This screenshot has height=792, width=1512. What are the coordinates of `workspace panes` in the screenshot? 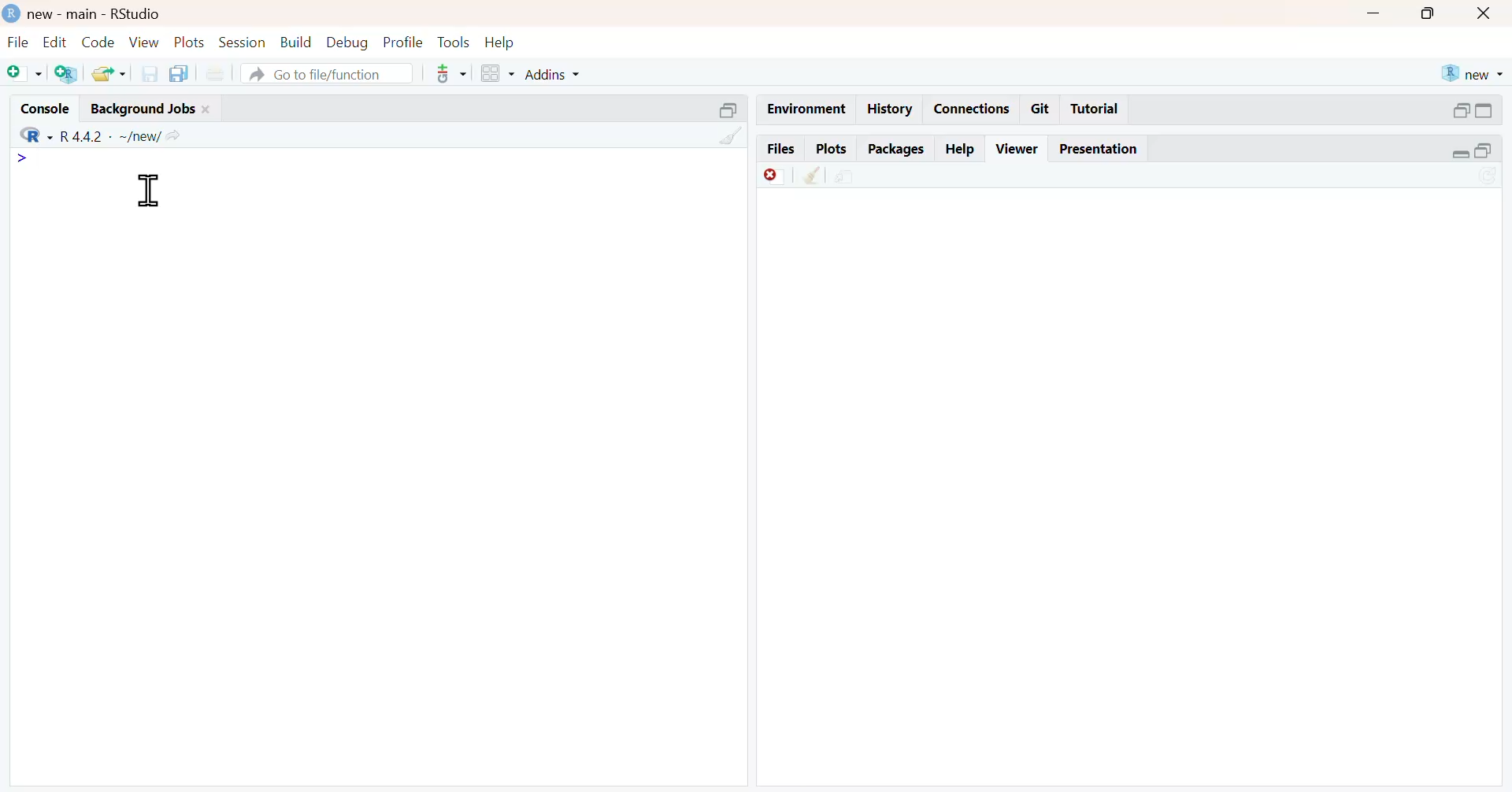 It's located at (495, 73).